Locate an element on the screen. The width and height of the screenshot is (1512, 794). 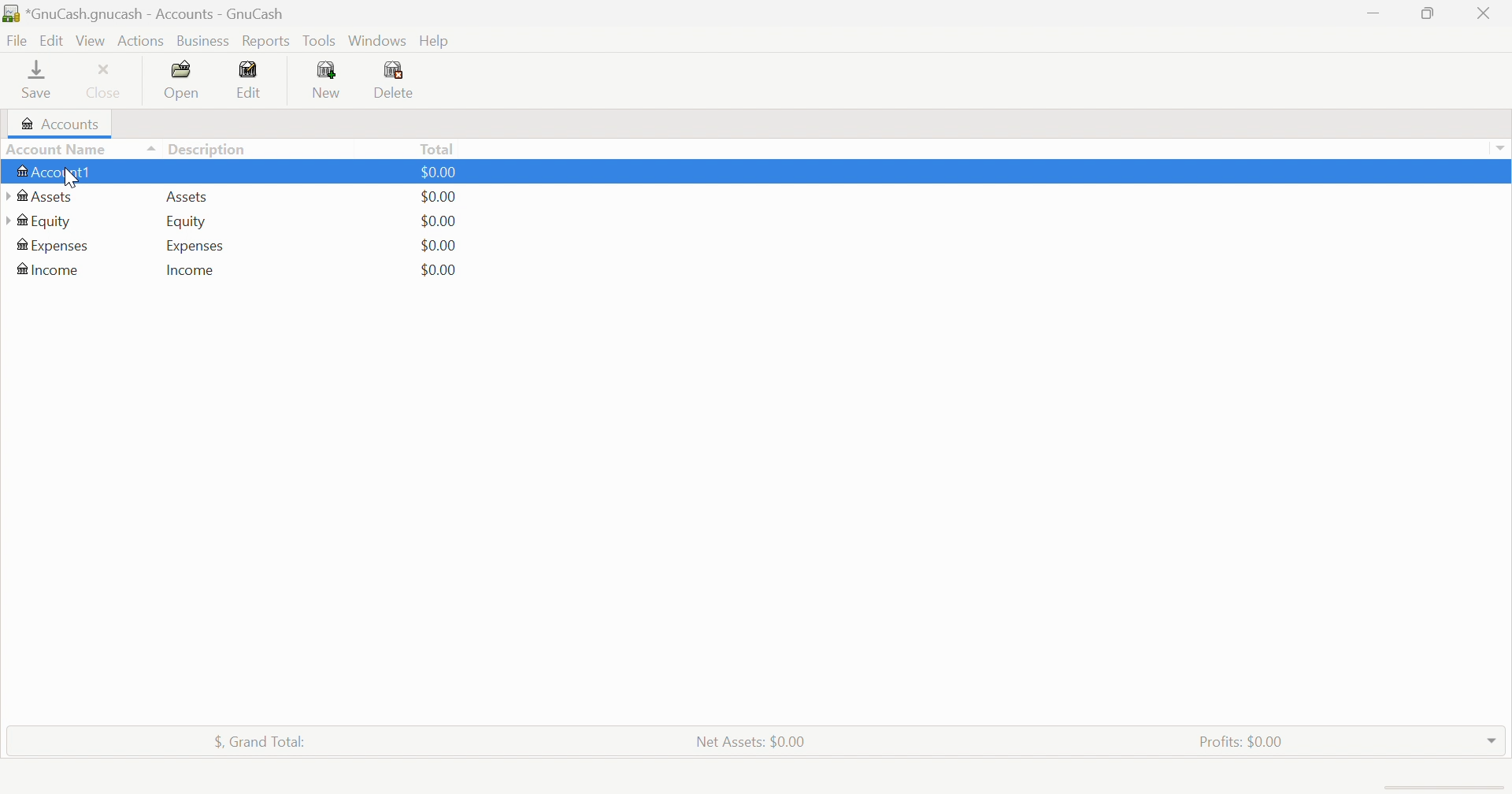
Assets is located at coordinates (183, 198).